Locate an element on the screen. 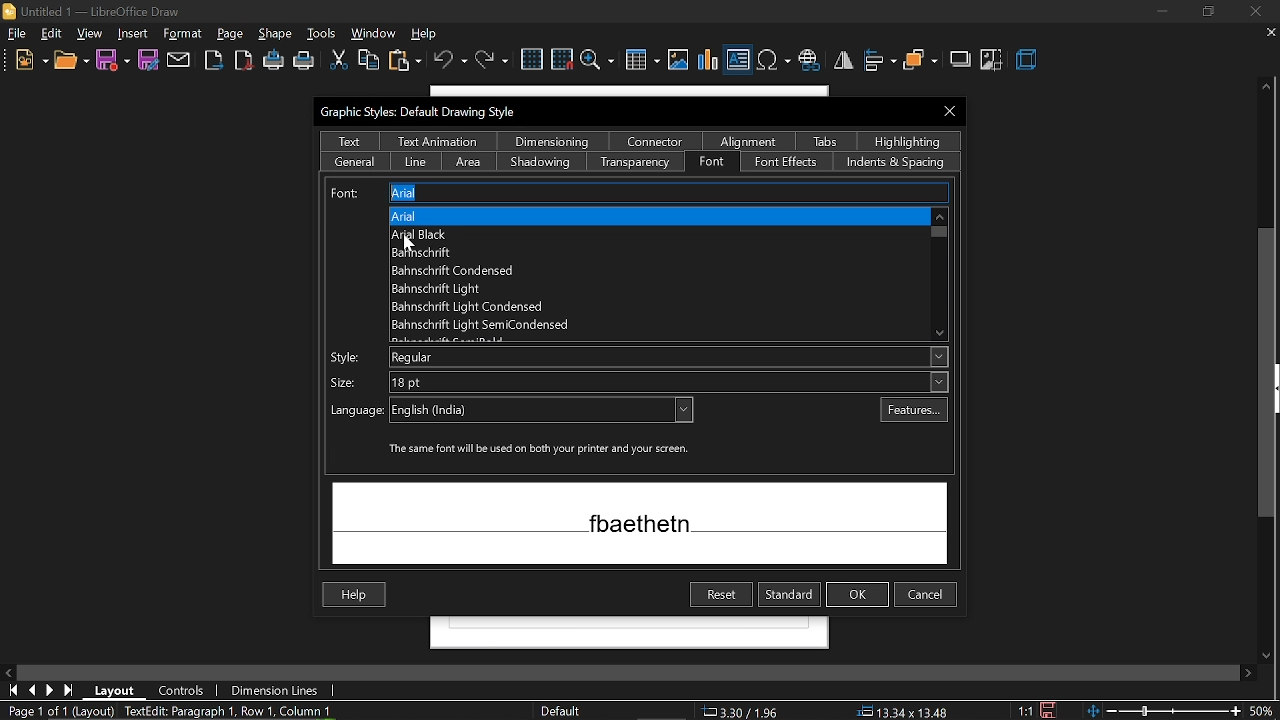 This screenshot has width=1280, height=720. crop is located at coordinates (993, 62).